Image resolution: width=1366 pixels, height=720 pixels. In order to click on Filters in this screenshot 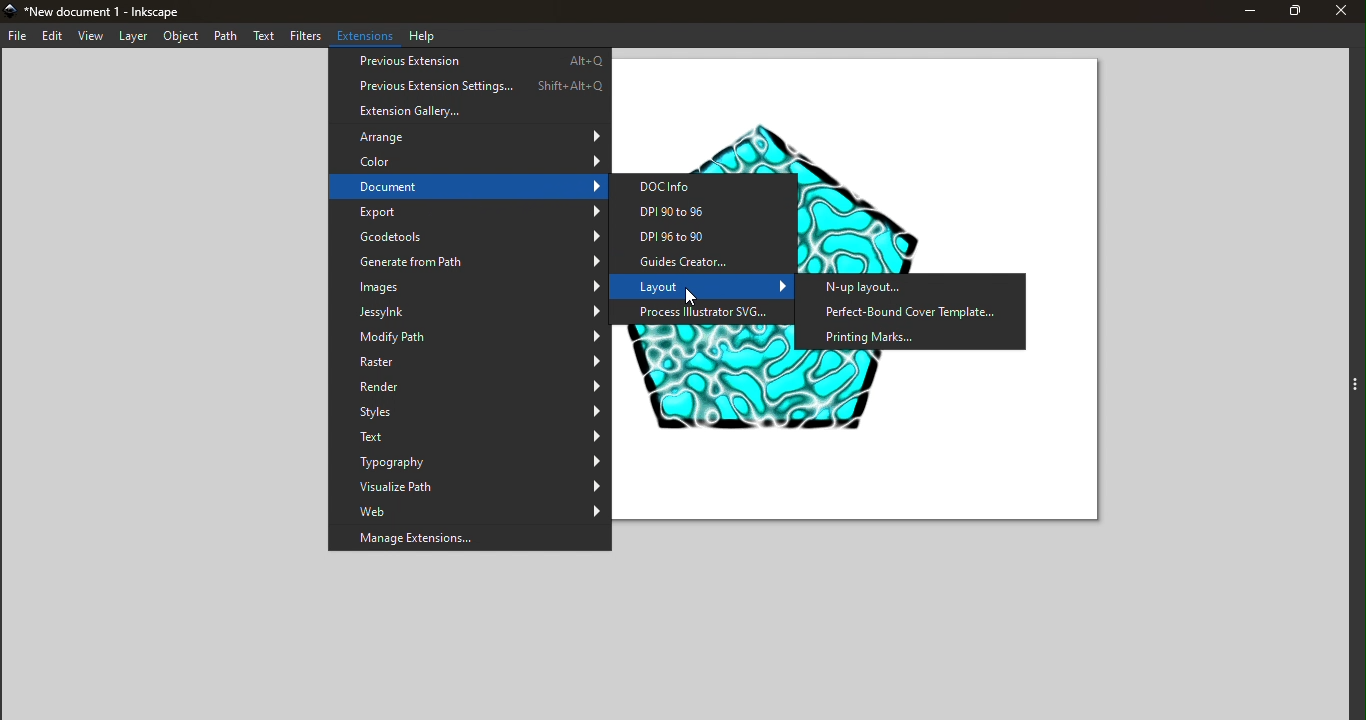, I will do `click(306, 37)`.